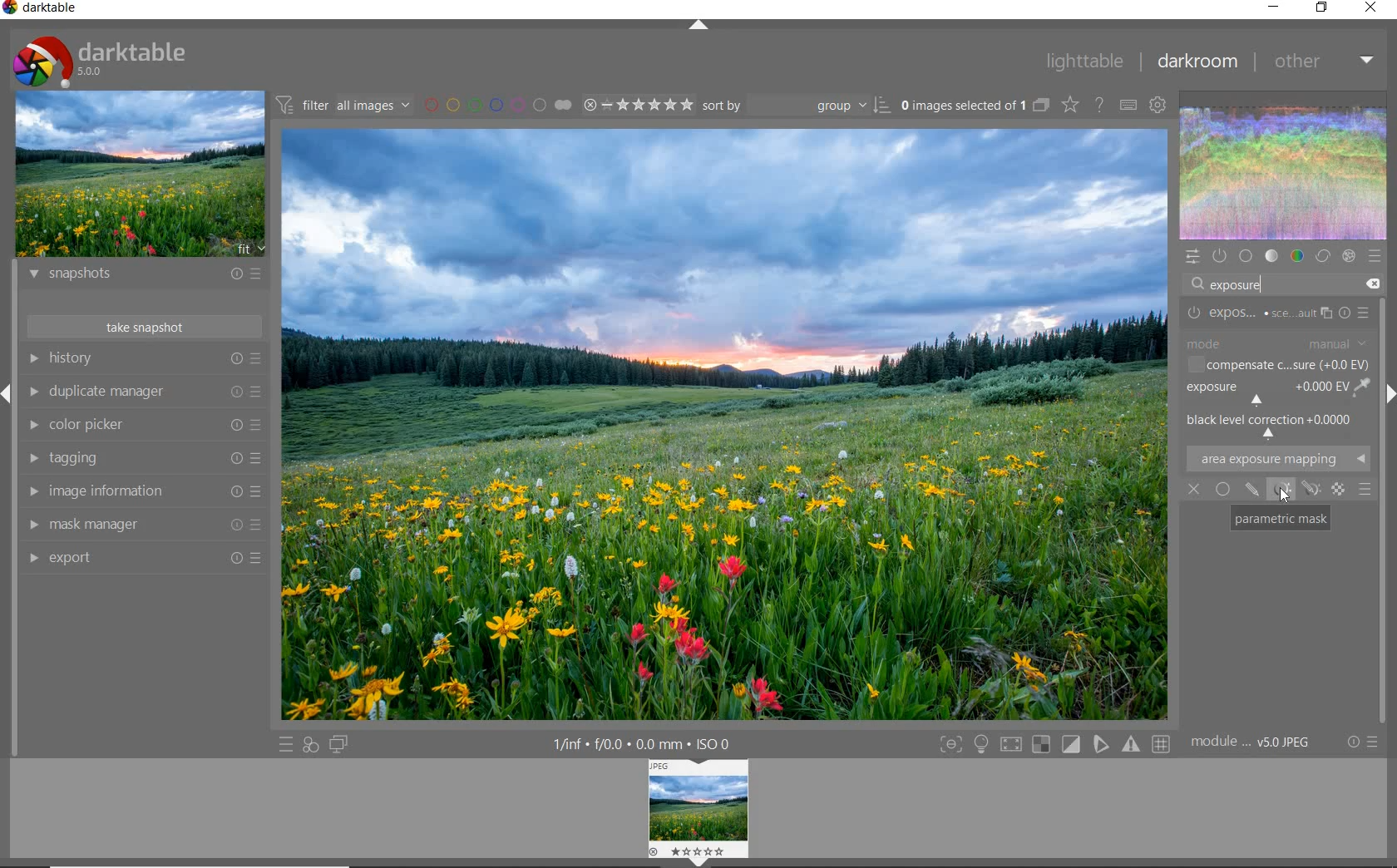  I want to click on color, so click(1298, 254).